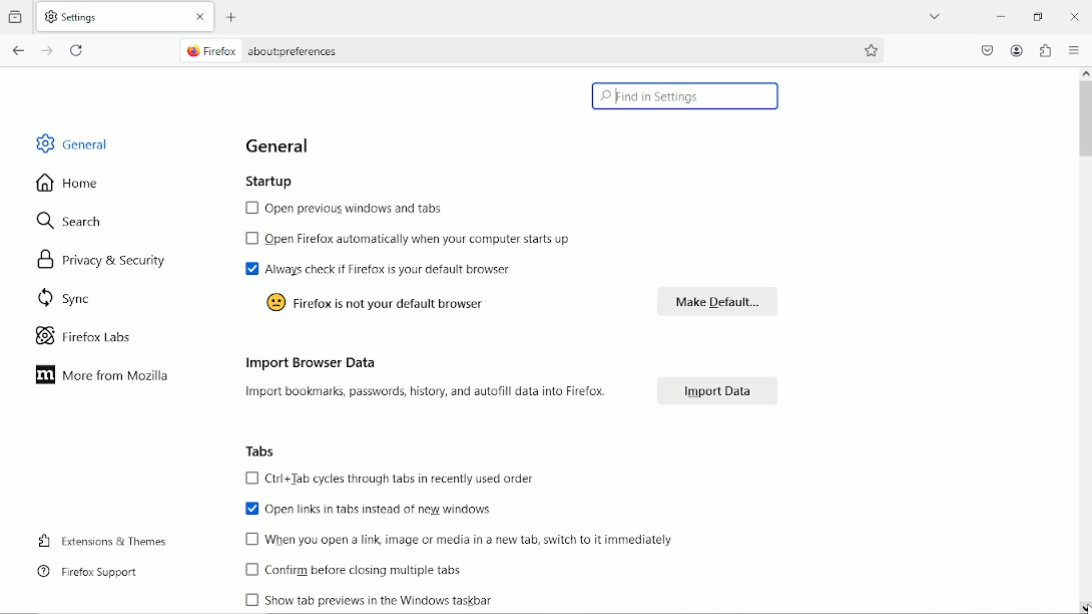 The image size is (1092, 614). What do you see at coordinates (998, 15) in the screenshot?
I see `minimize ` at bounding box center [998, 15].